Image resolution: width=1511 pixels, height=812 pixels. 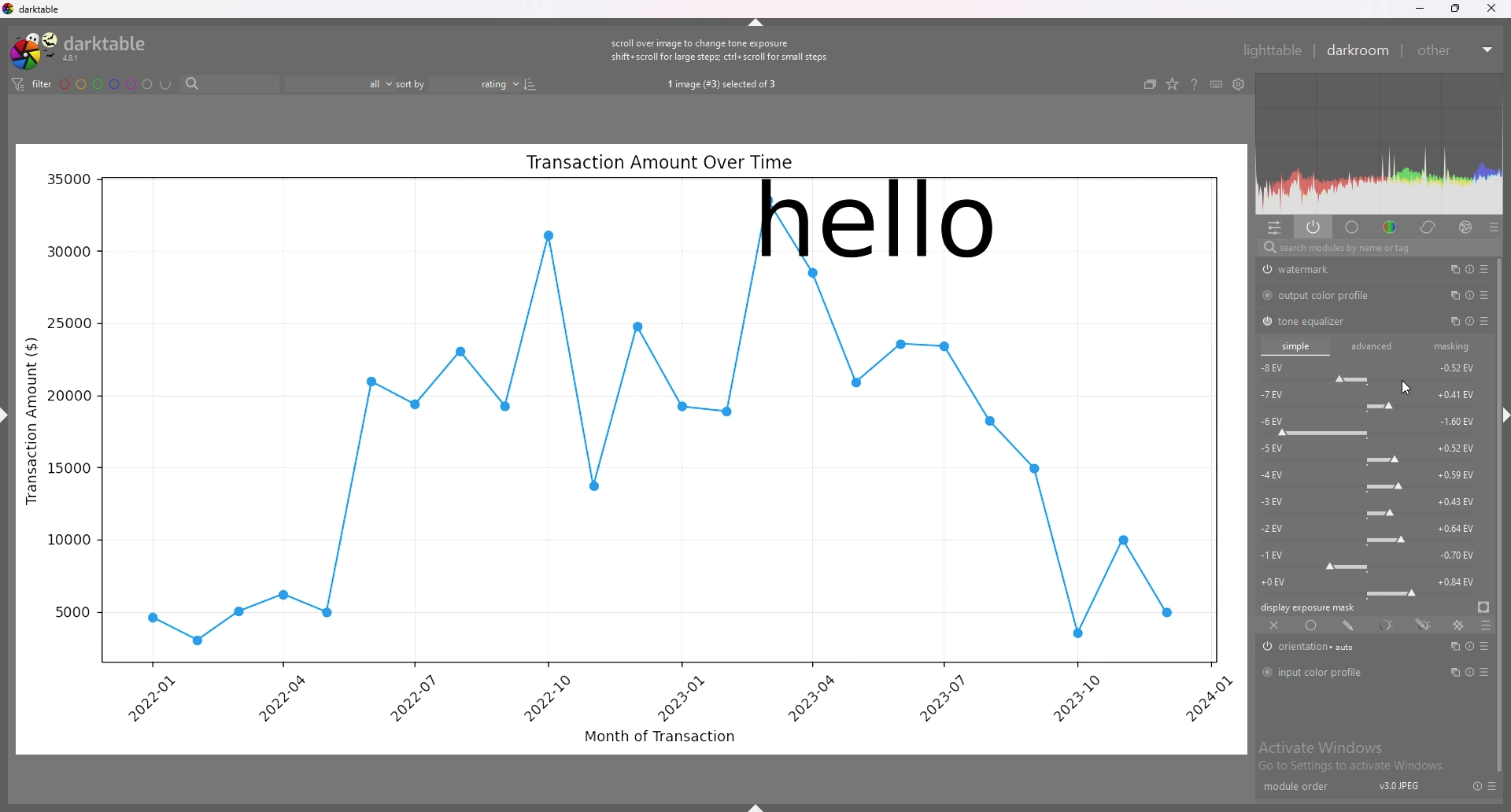 I want to click on 15000, so click(x=68, y=469).